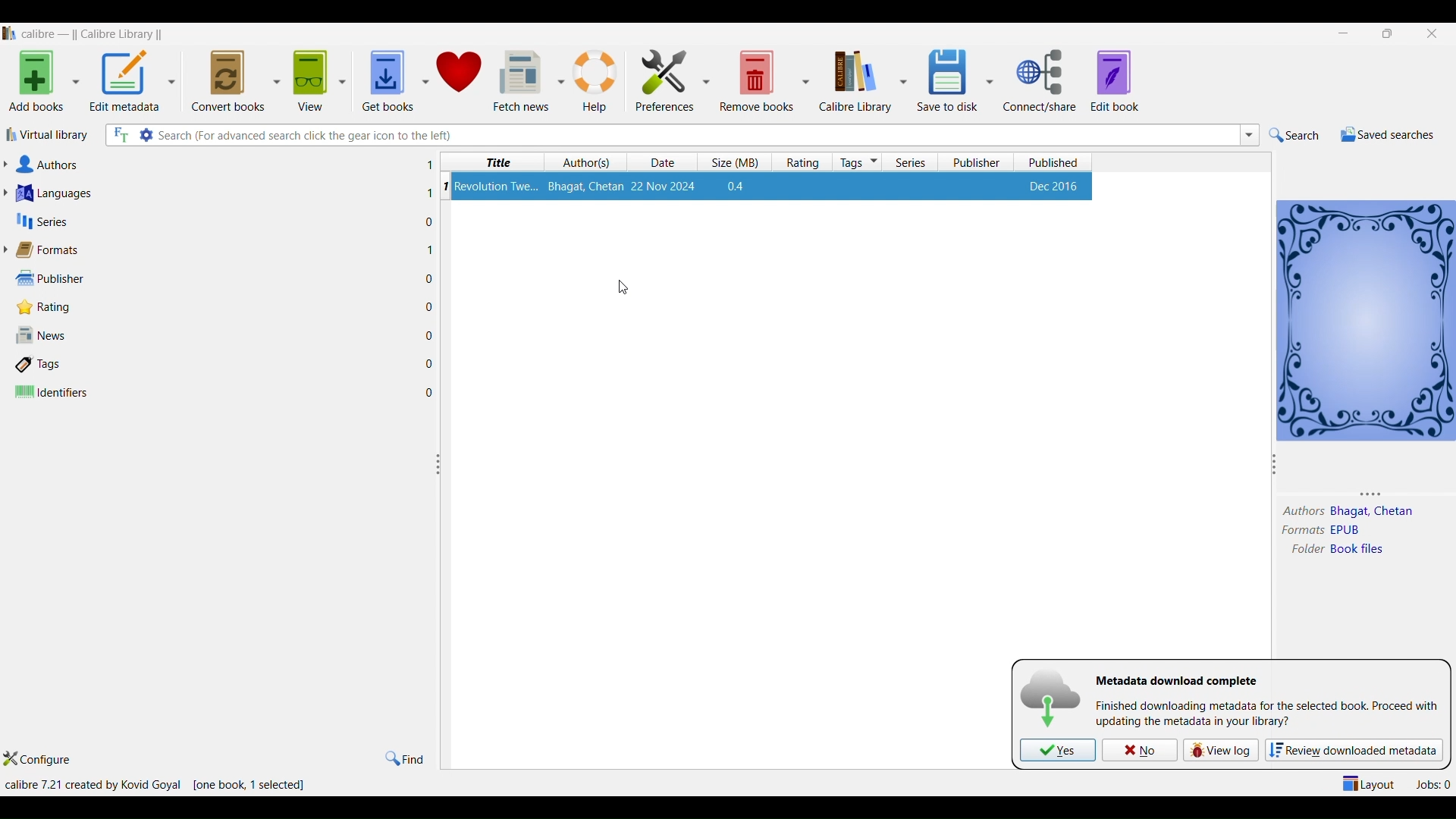  What do you see at coordinates (10, 193) in the screenshot?
I see `languages list dropdown button` at bounding box center [10, 193].